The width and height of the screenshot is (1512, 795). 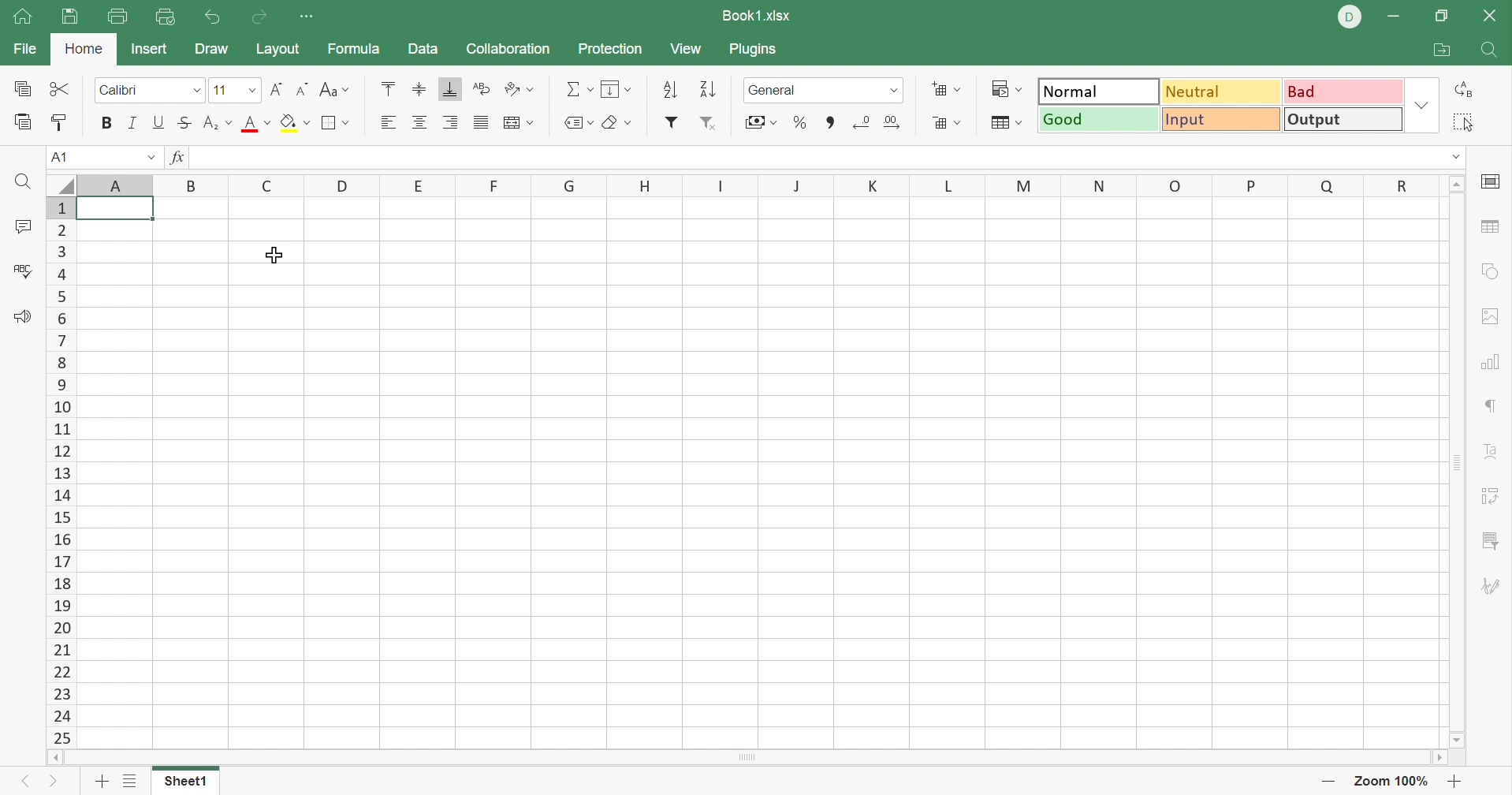 I want to click on cell settings, so click(x=1494, y=181).